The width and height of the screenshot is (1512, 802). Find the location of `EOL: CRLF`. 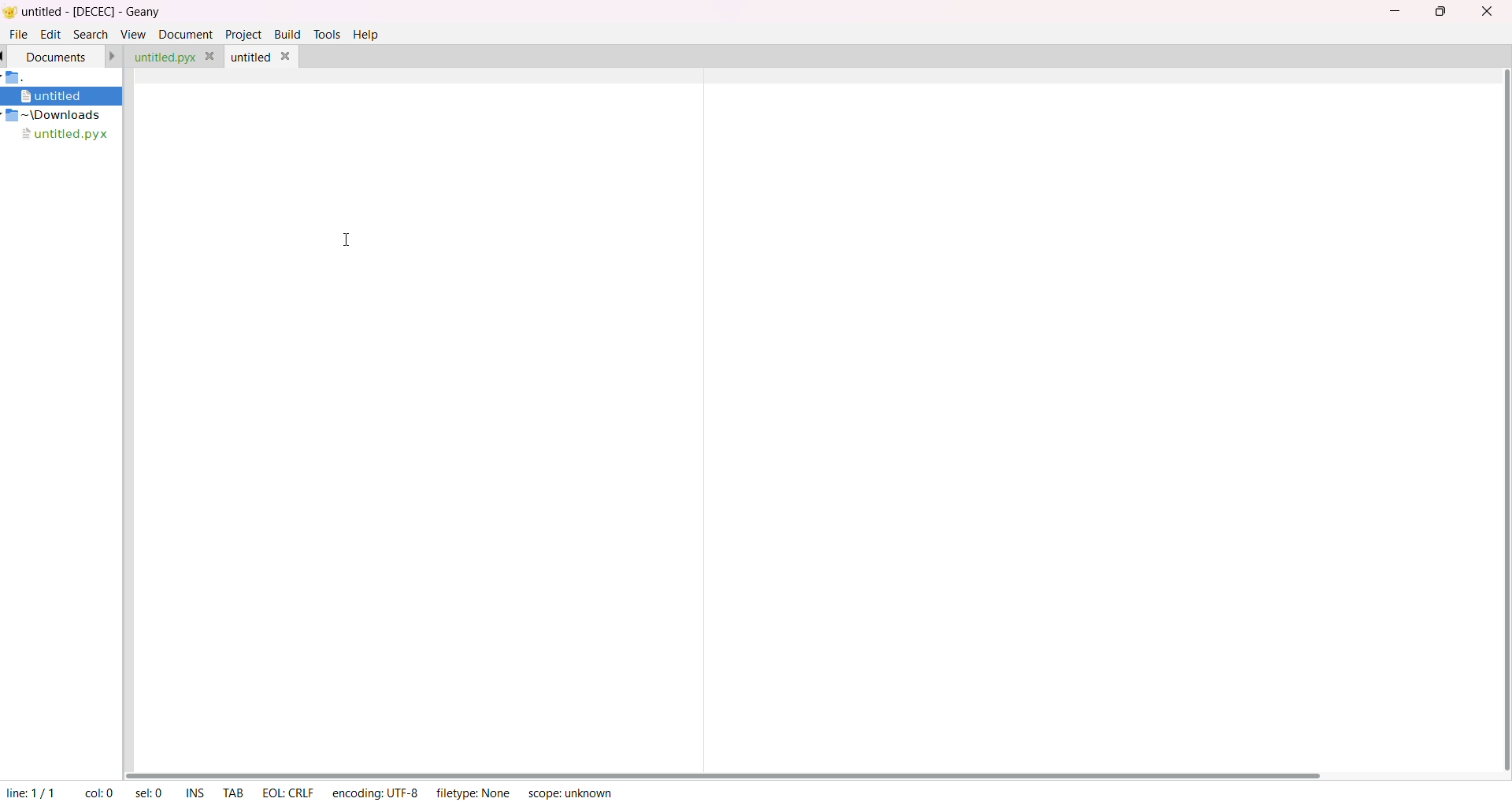

EOL: CRLF is located at coordinates (287, 791).